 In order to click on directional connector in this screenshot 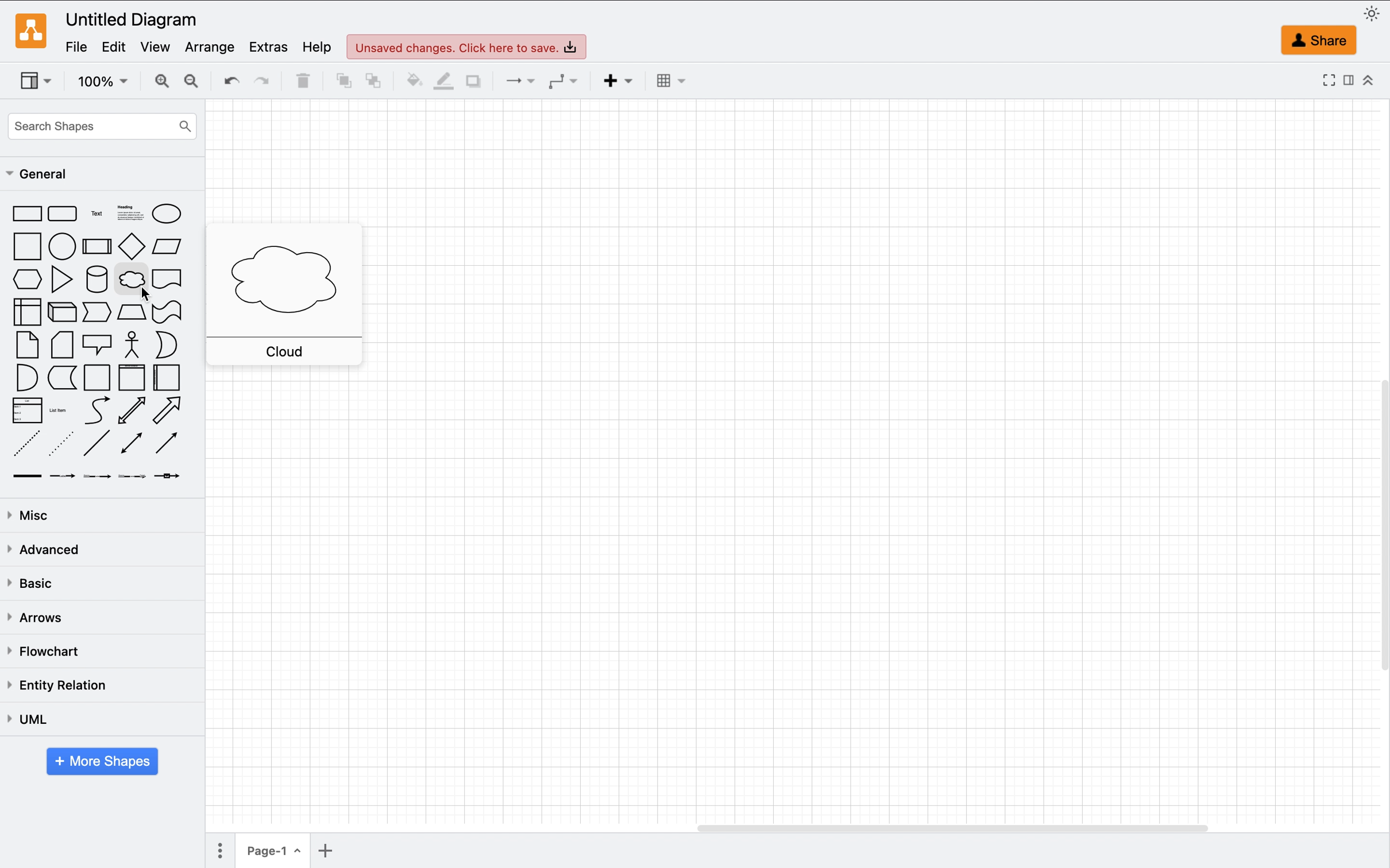, I will do `click(165, 444)`.